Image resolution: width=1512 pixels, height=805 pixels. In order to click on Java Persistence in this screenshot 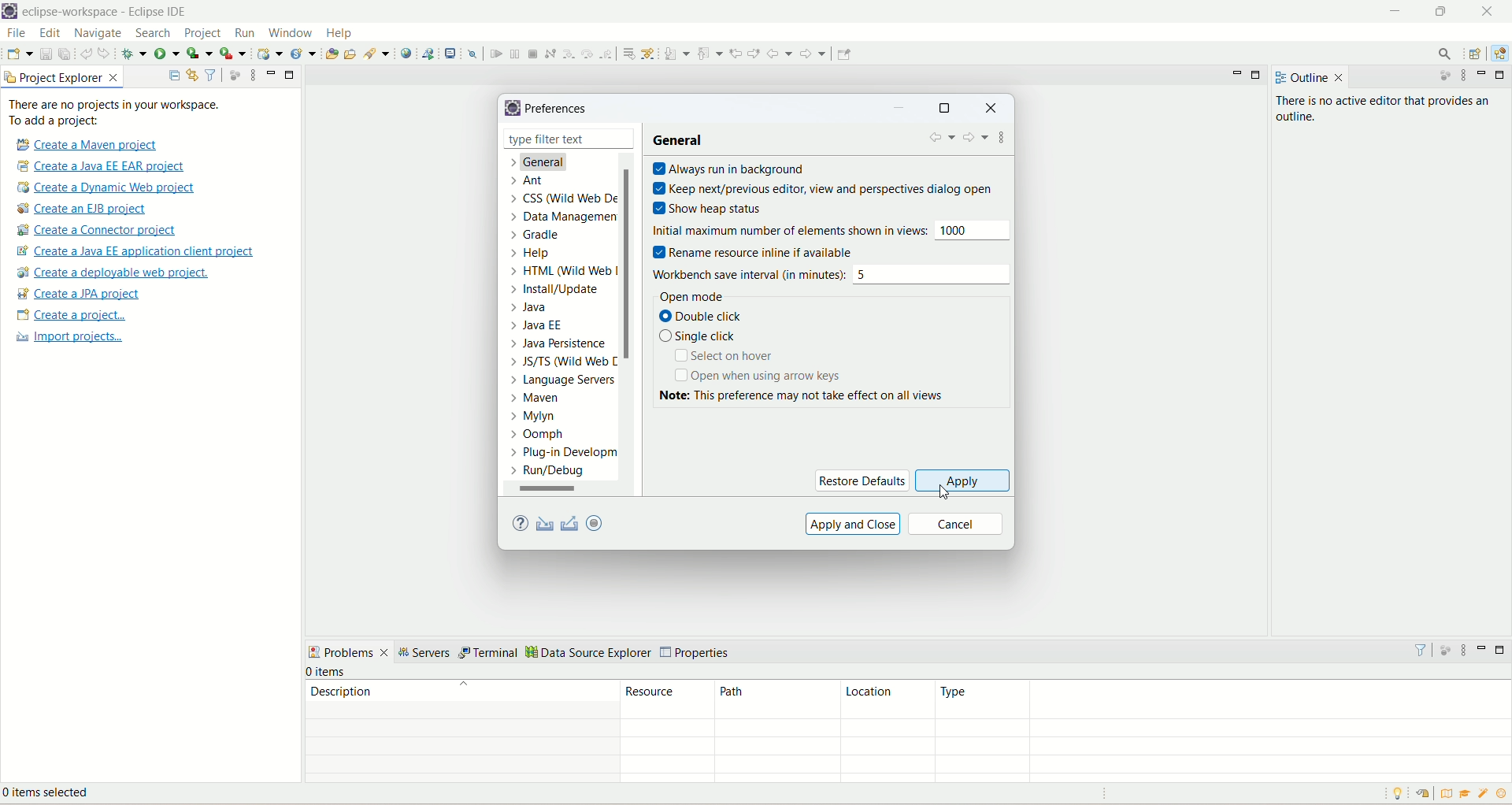, I will do `click(561, 346)`.